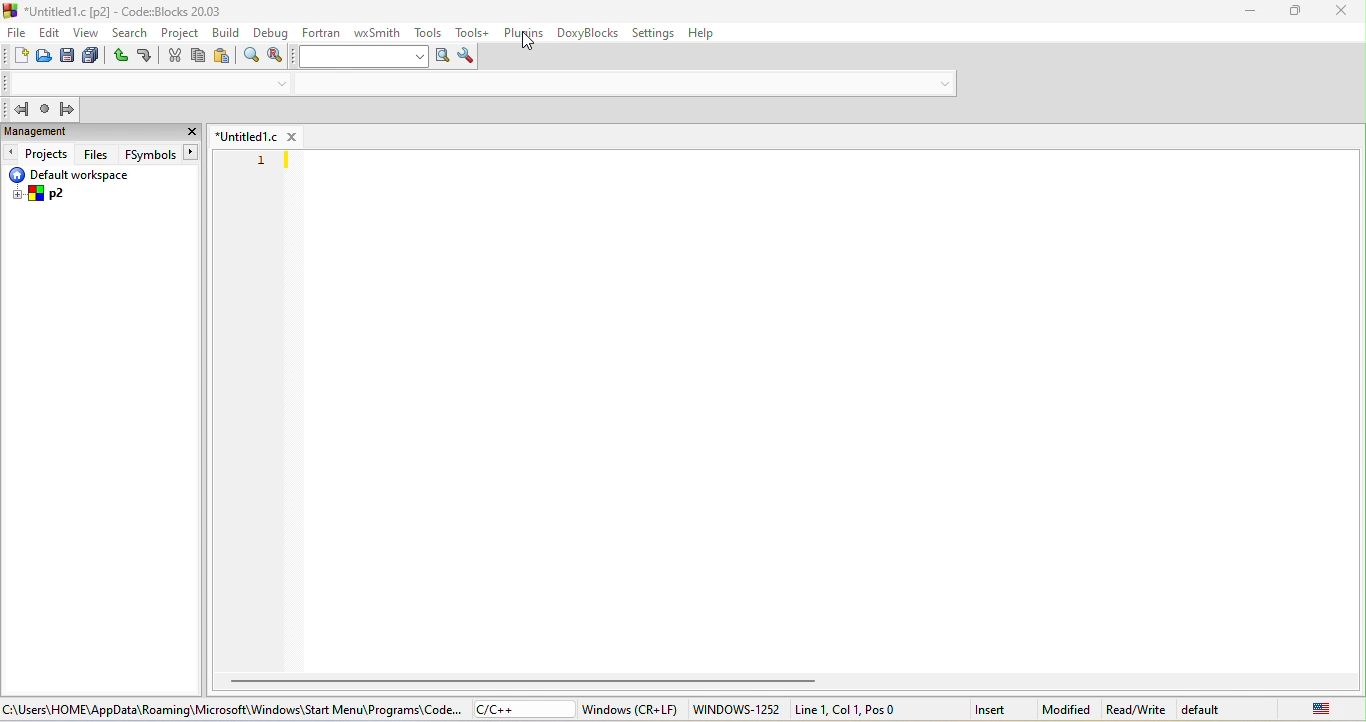 The width and height of the screenshot is (1366, 722). What do you see at coordinates (1299, 12) in the screenshot?
I see `maximize` at bounding box center [1299, 12].